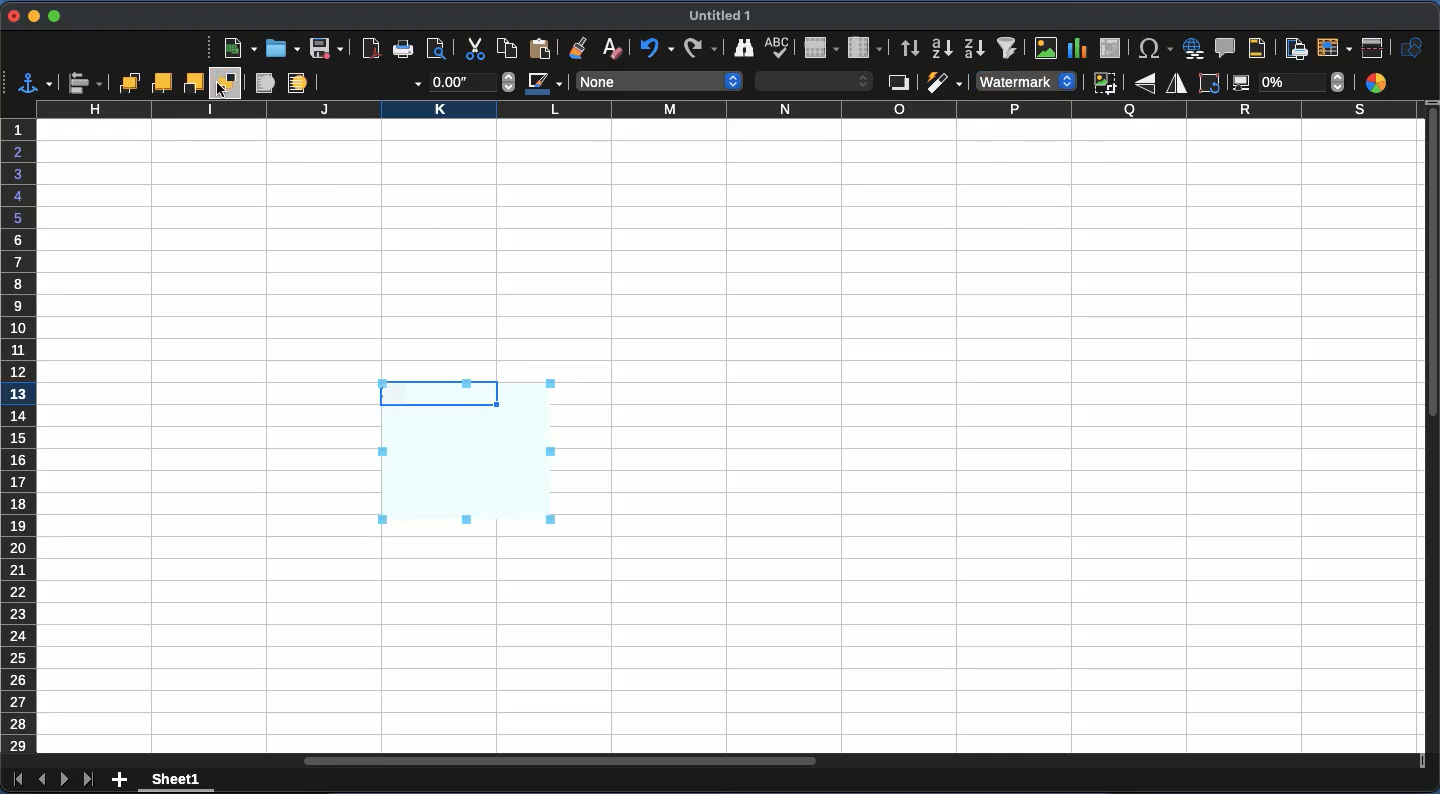 Image resolution: width=1440 pixels, height=794 pixels. Describe the element at coordinates (1288, 84) in the screenshot. I see `transparency` at that location.